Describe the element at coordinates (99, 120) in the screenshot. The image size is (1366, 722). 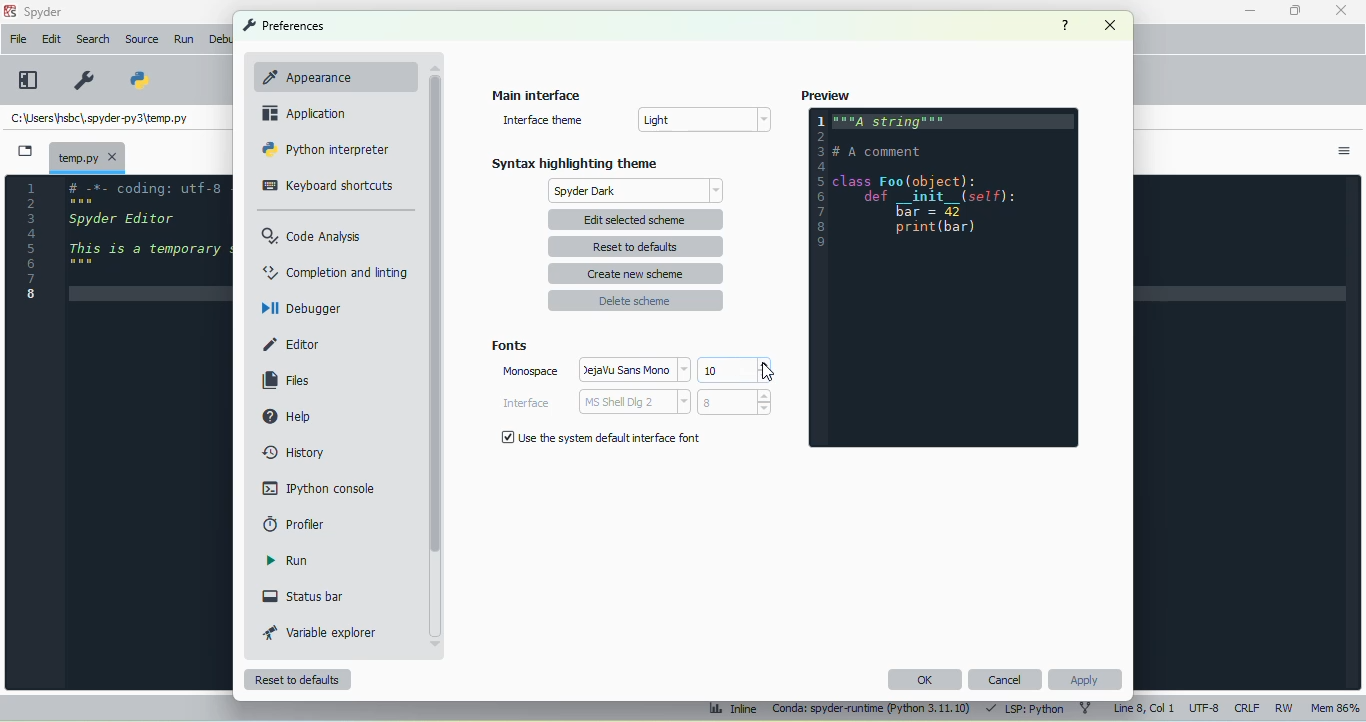
I see `temporary file` at that location.